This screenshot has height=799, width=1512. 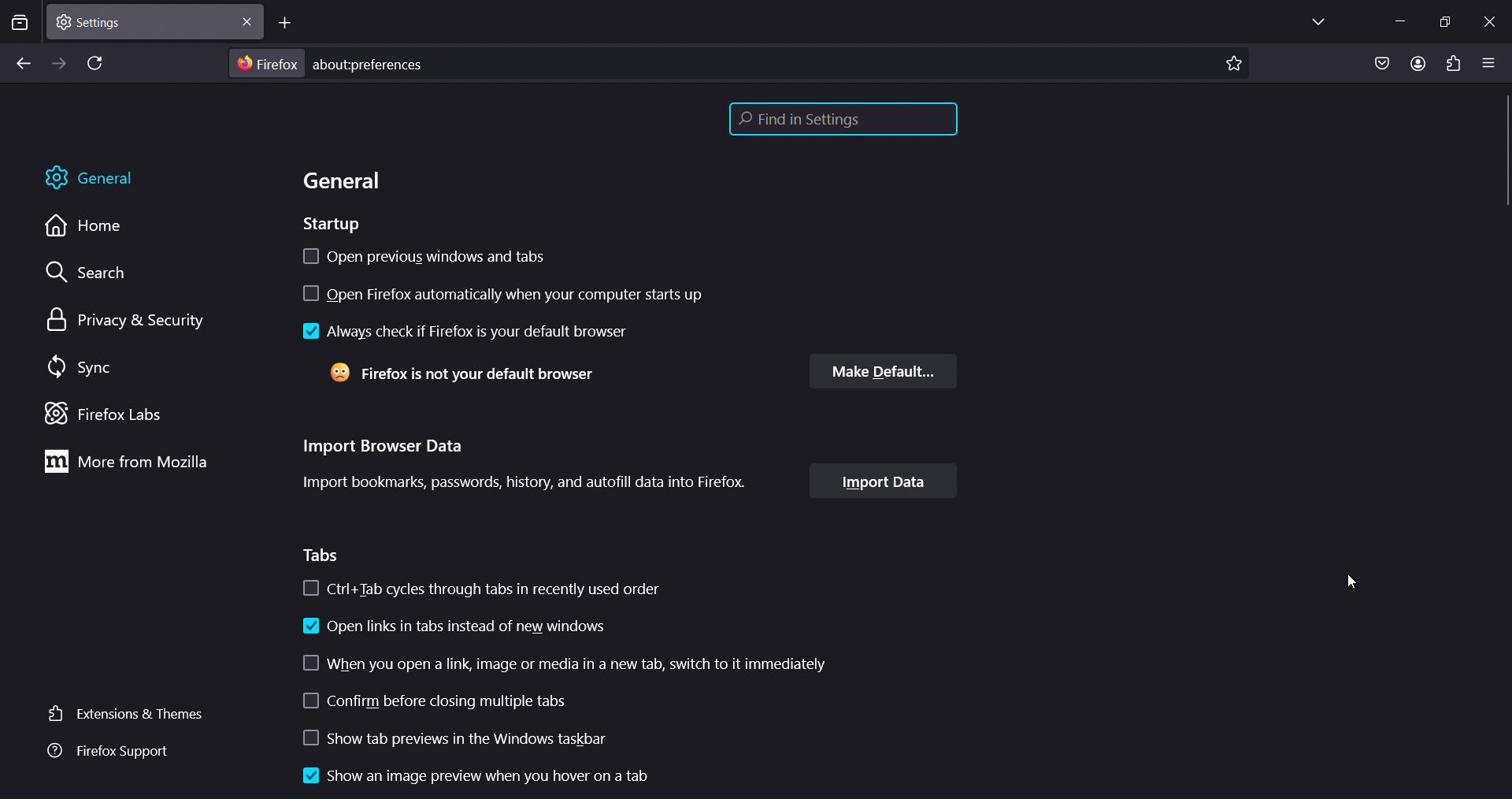 What do you see at coordinates (1239, 61) in the screenshot?
I see `bookmark page` at bounding box center [1239, 61].